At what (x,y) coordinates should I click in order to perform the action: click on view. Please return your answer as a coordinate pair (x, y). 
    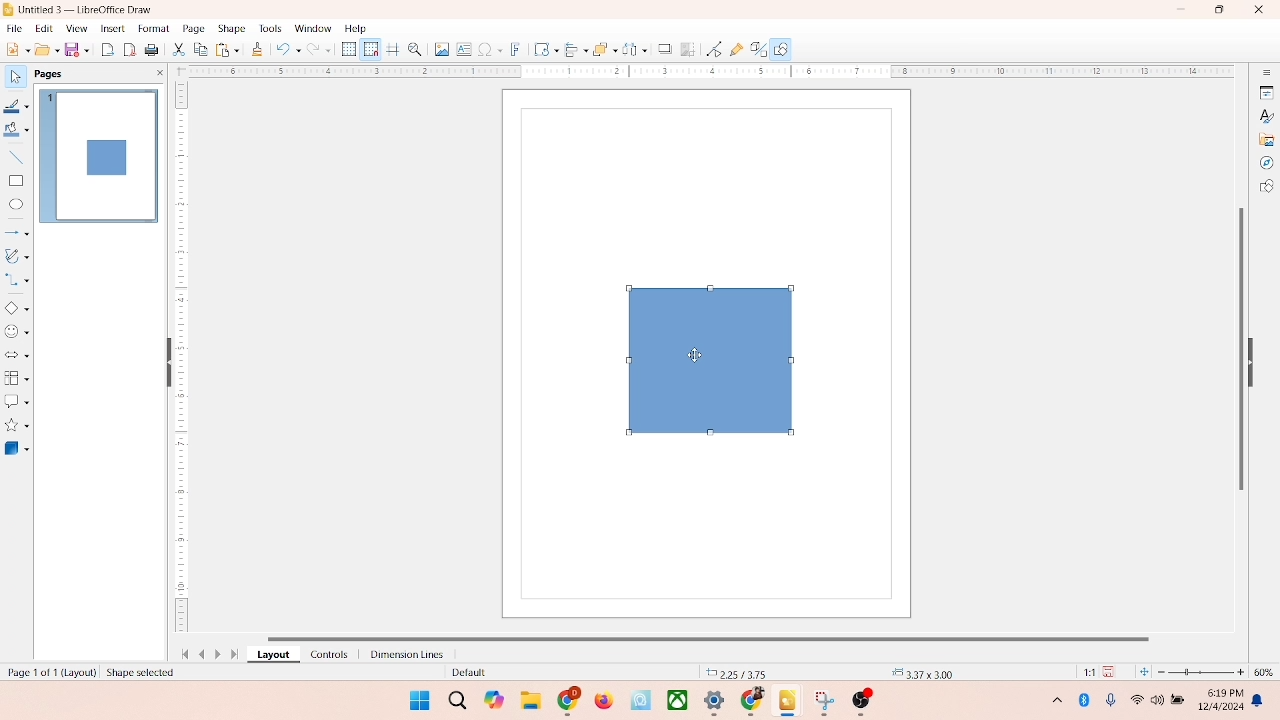
    Looking at the image, I should click on (72, 28).